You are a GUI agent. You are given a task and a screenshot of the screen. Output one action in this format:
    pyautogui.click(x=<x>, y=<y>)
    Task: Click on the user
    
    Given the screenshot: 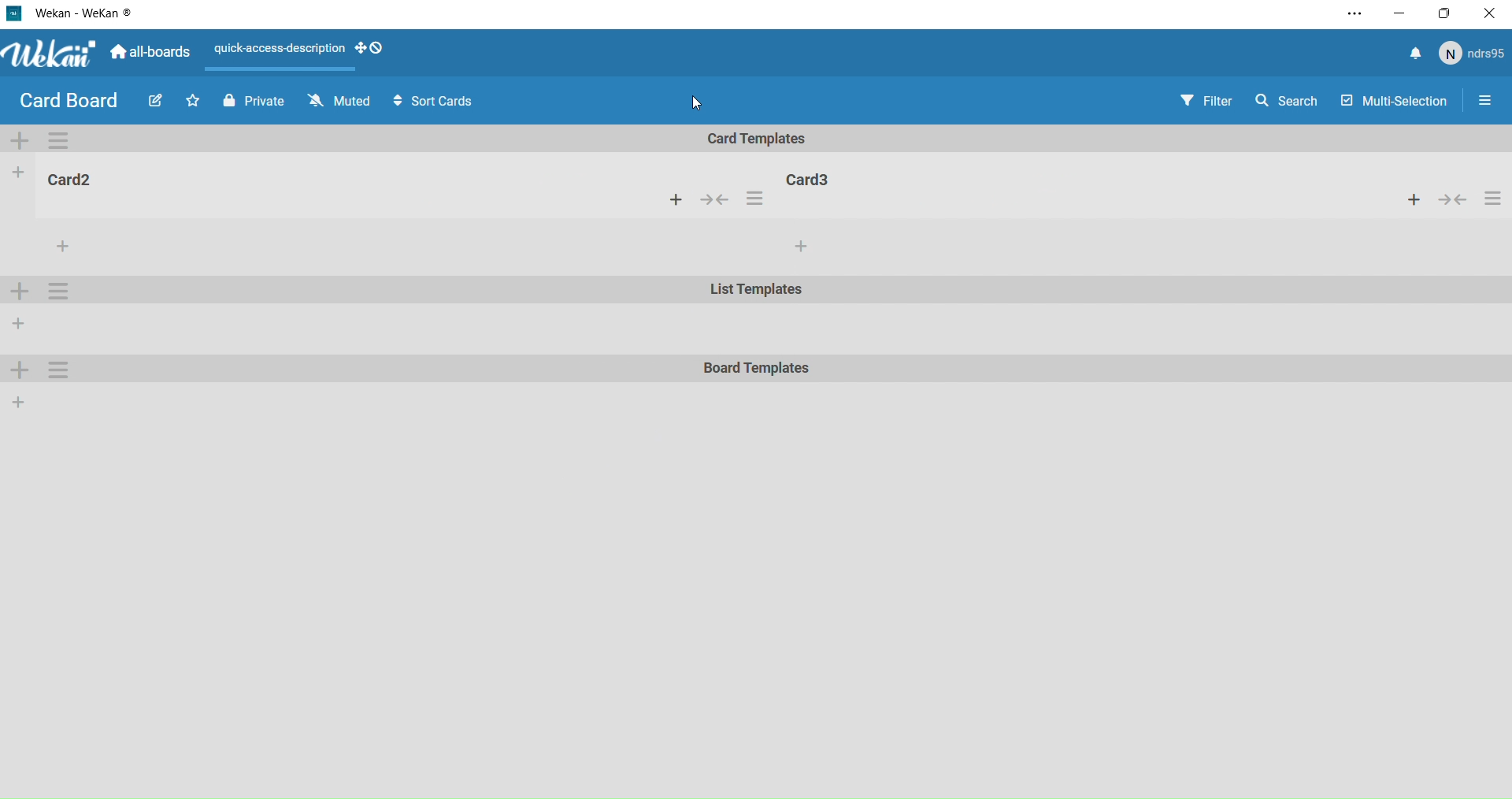 What is the action you would take?
    pyautogui.click(x=1473, y=57)
    